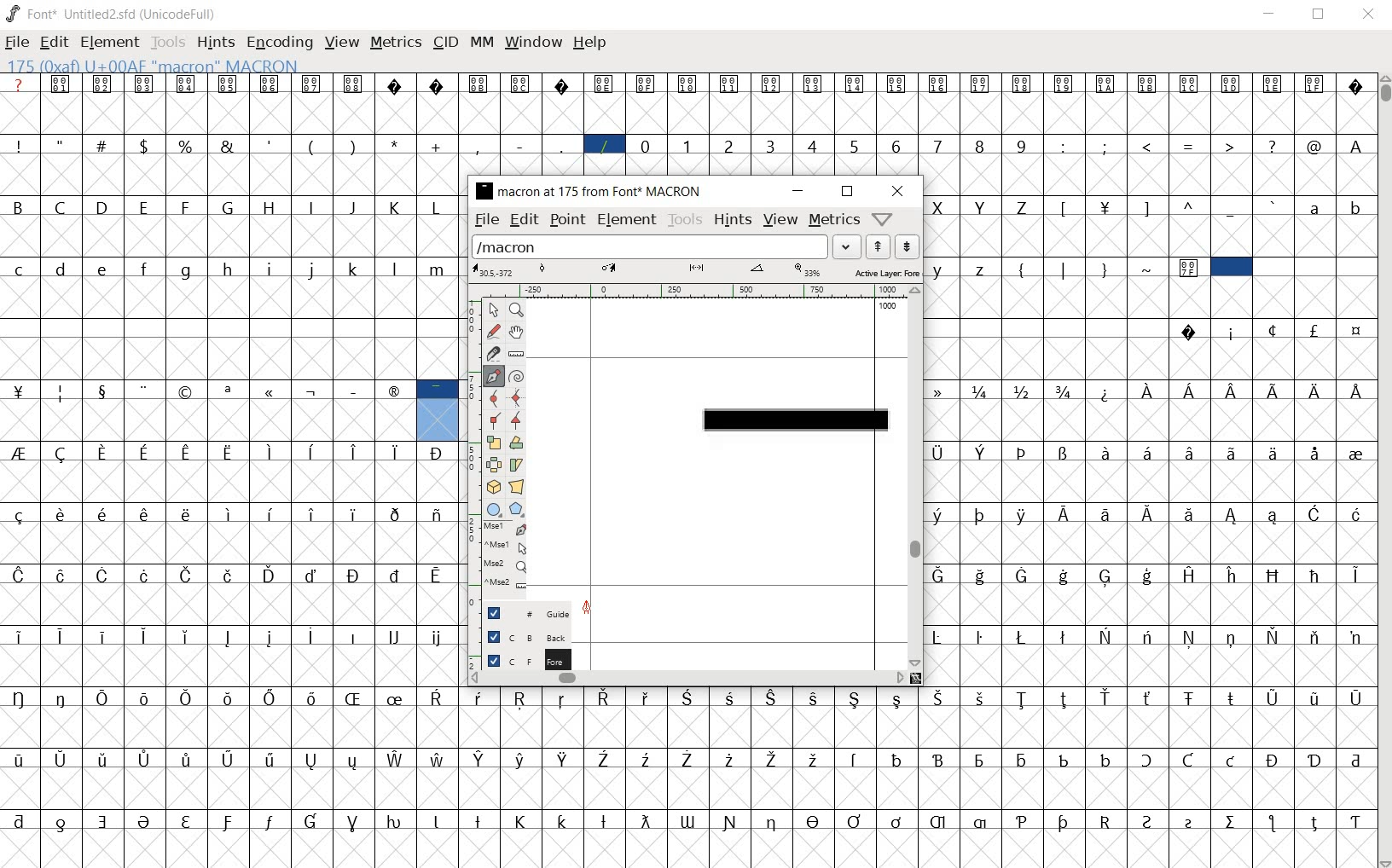 The width and height of the screenshot is (1392, 868). I want to click on Symbol, so click(774, 758).